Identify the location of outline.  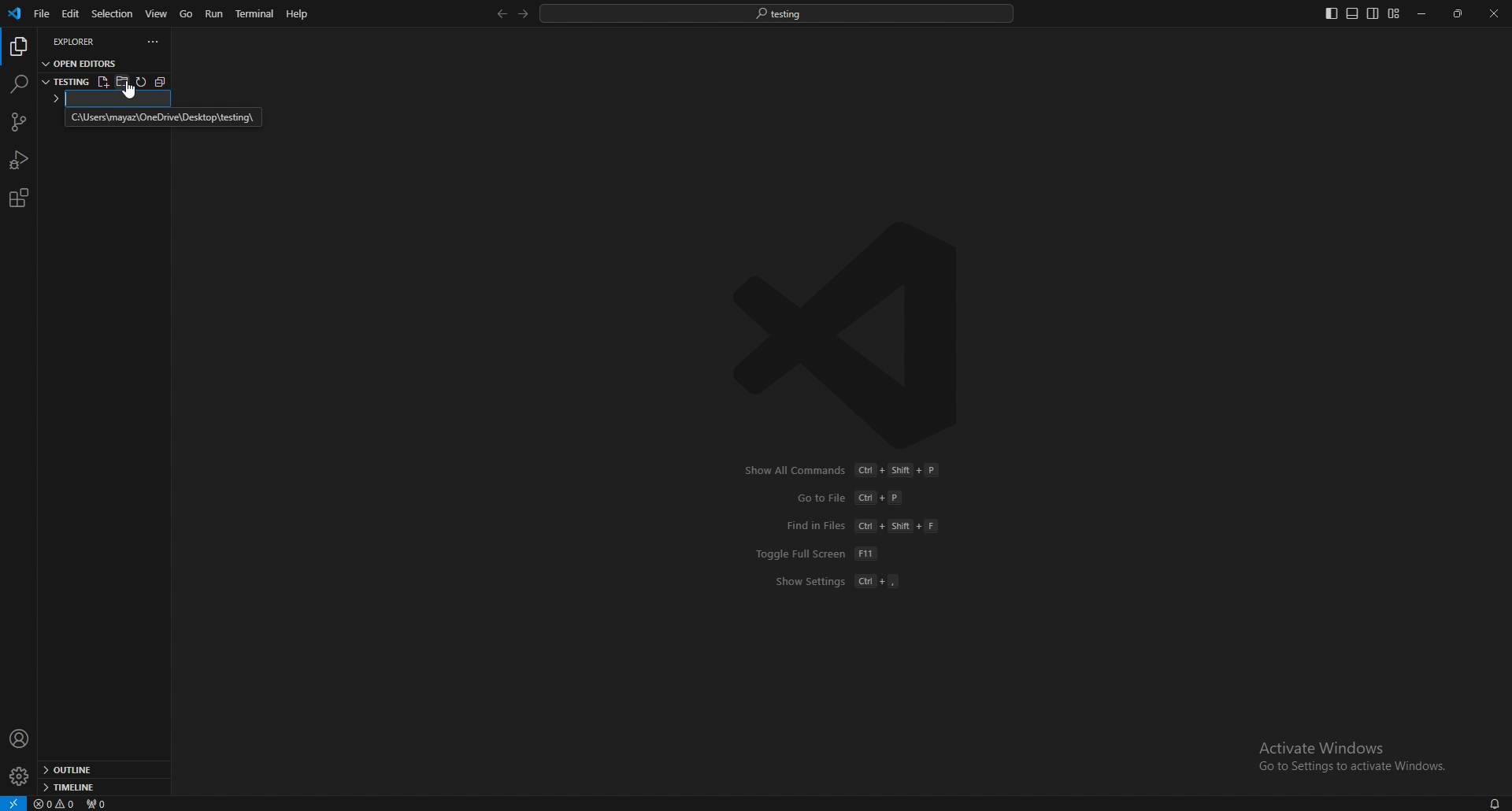
(102, 771).